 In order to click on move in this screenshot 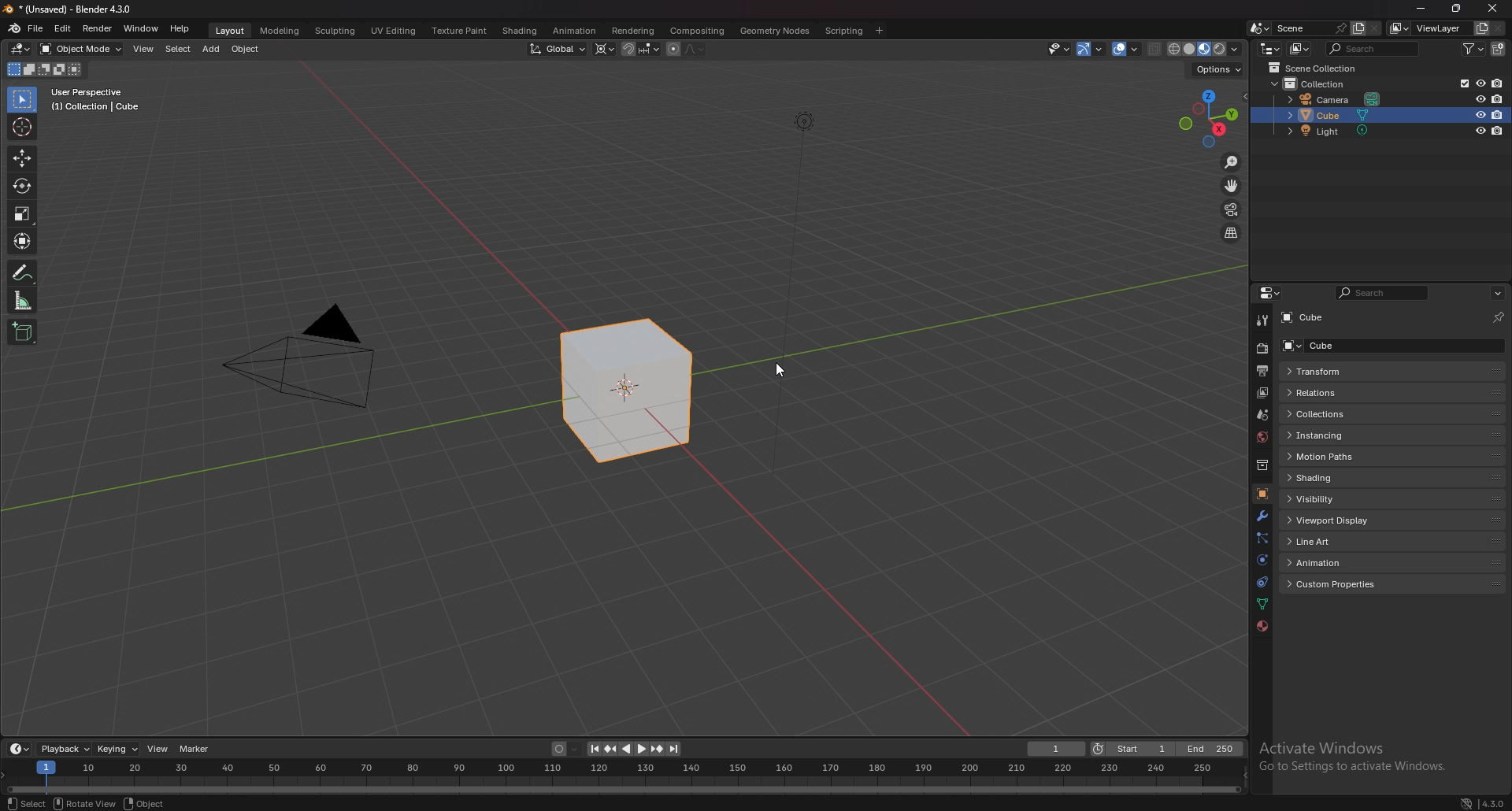, I will do `click(1231, 187)`.